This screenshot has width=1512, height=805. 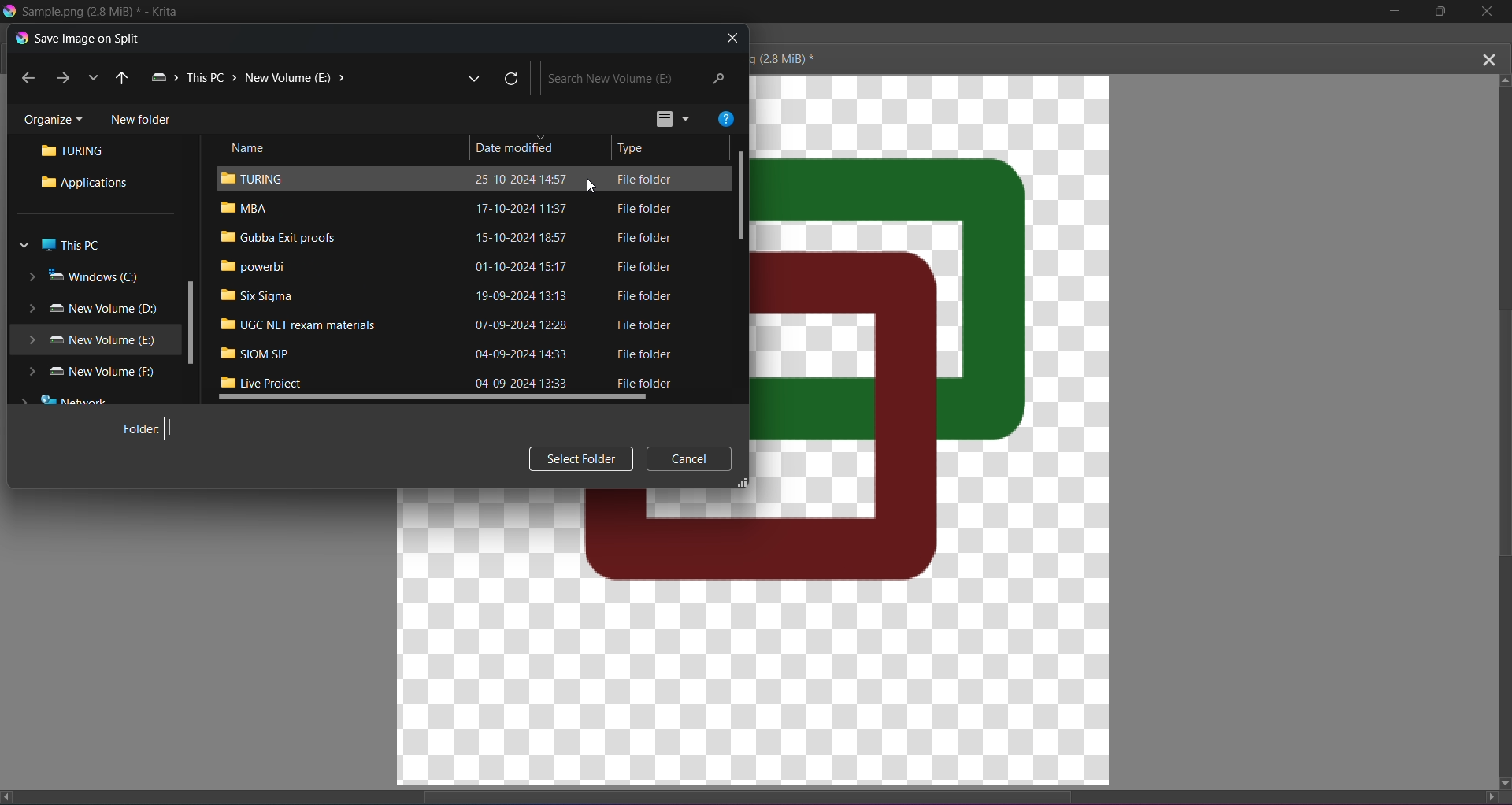 What do you see at coordinates (29, 78) in the screenshot?
I see `Previous` at bounding box center [29, 78].